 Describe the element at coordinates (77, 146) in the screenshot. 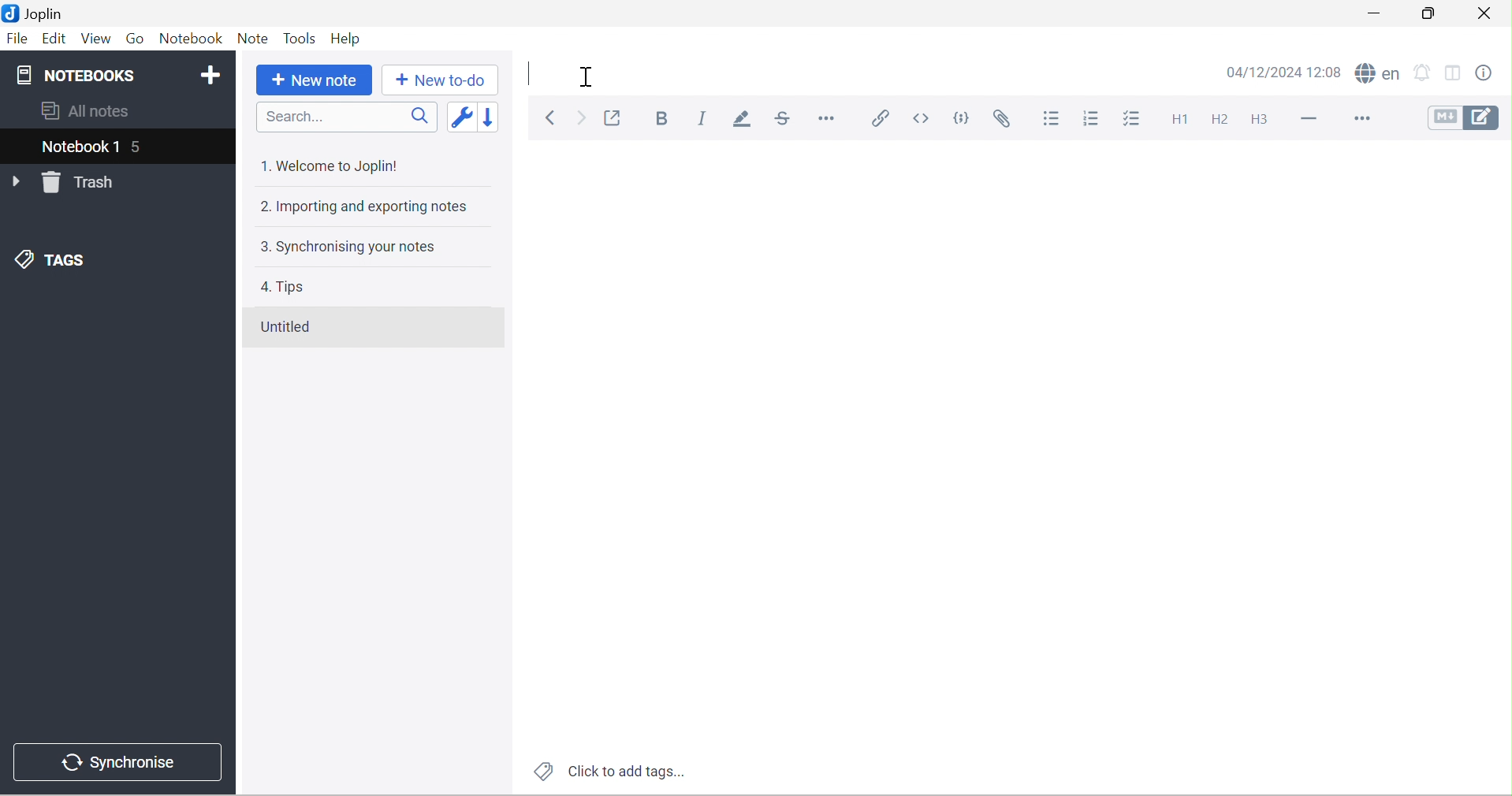

I see `Notebook 1` at that location.